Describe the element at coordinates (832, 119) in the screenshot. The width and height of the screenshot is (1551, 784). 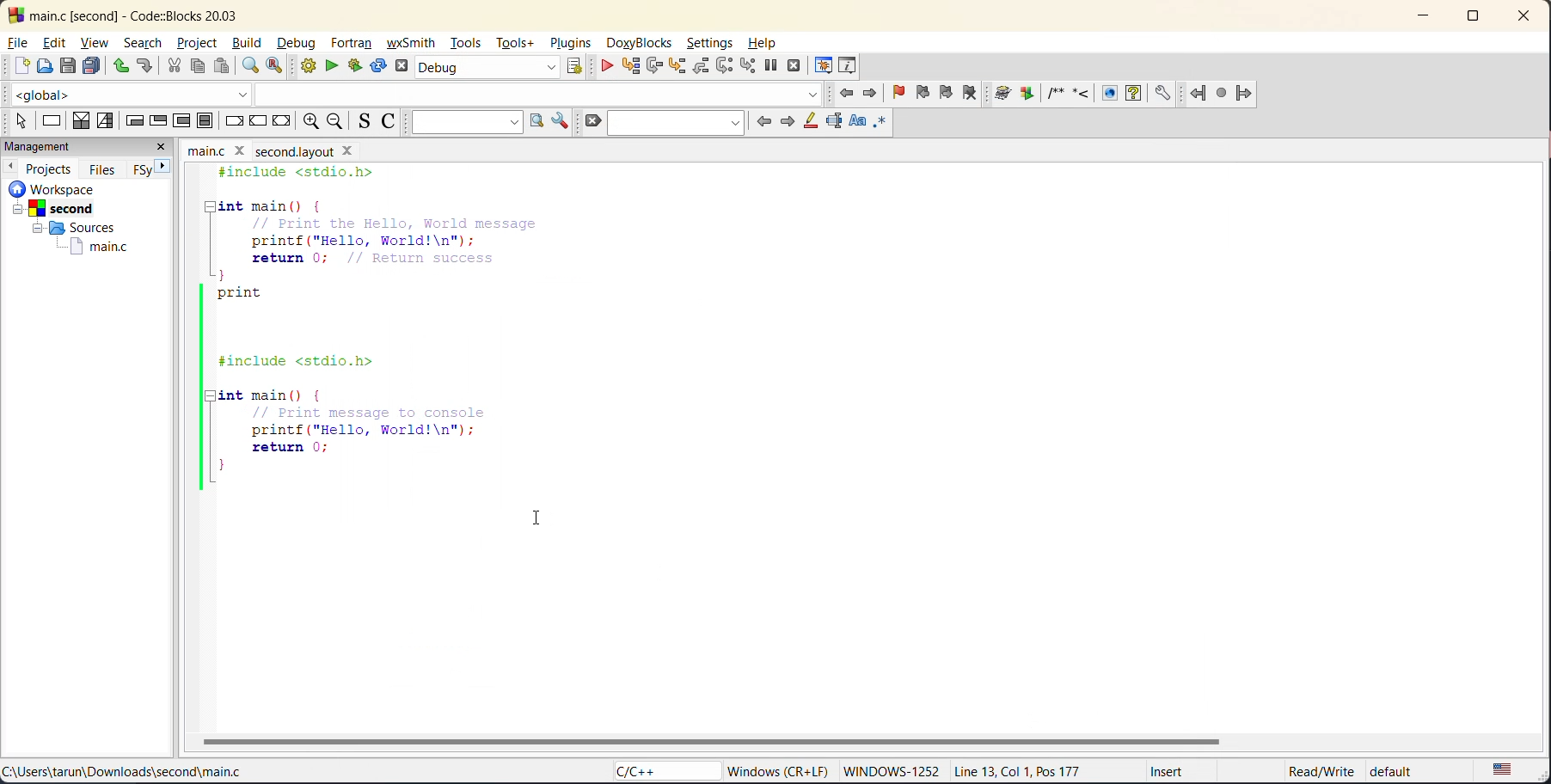
I see `selected text` at that location.